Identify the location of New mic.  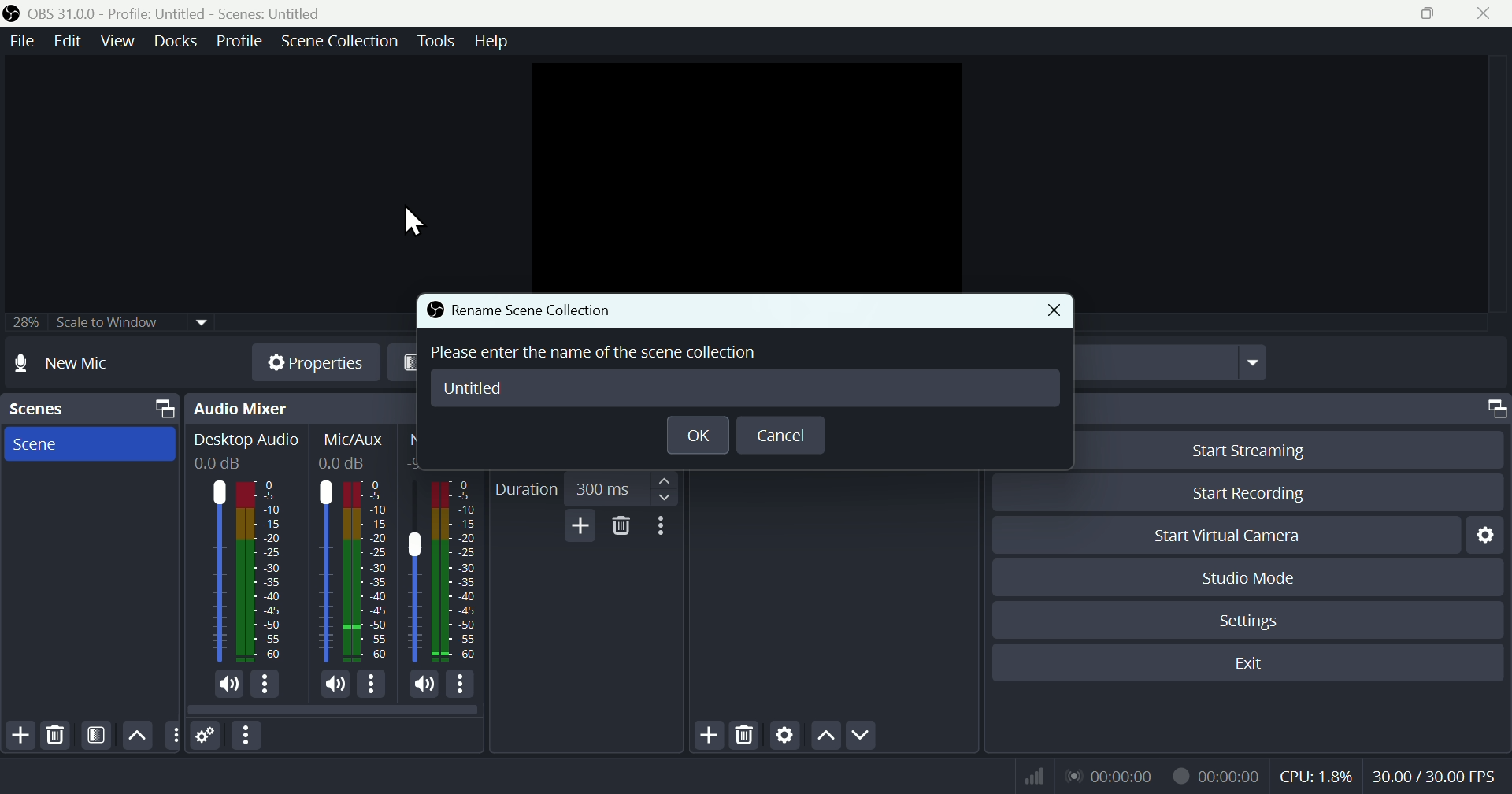
(81, 365).